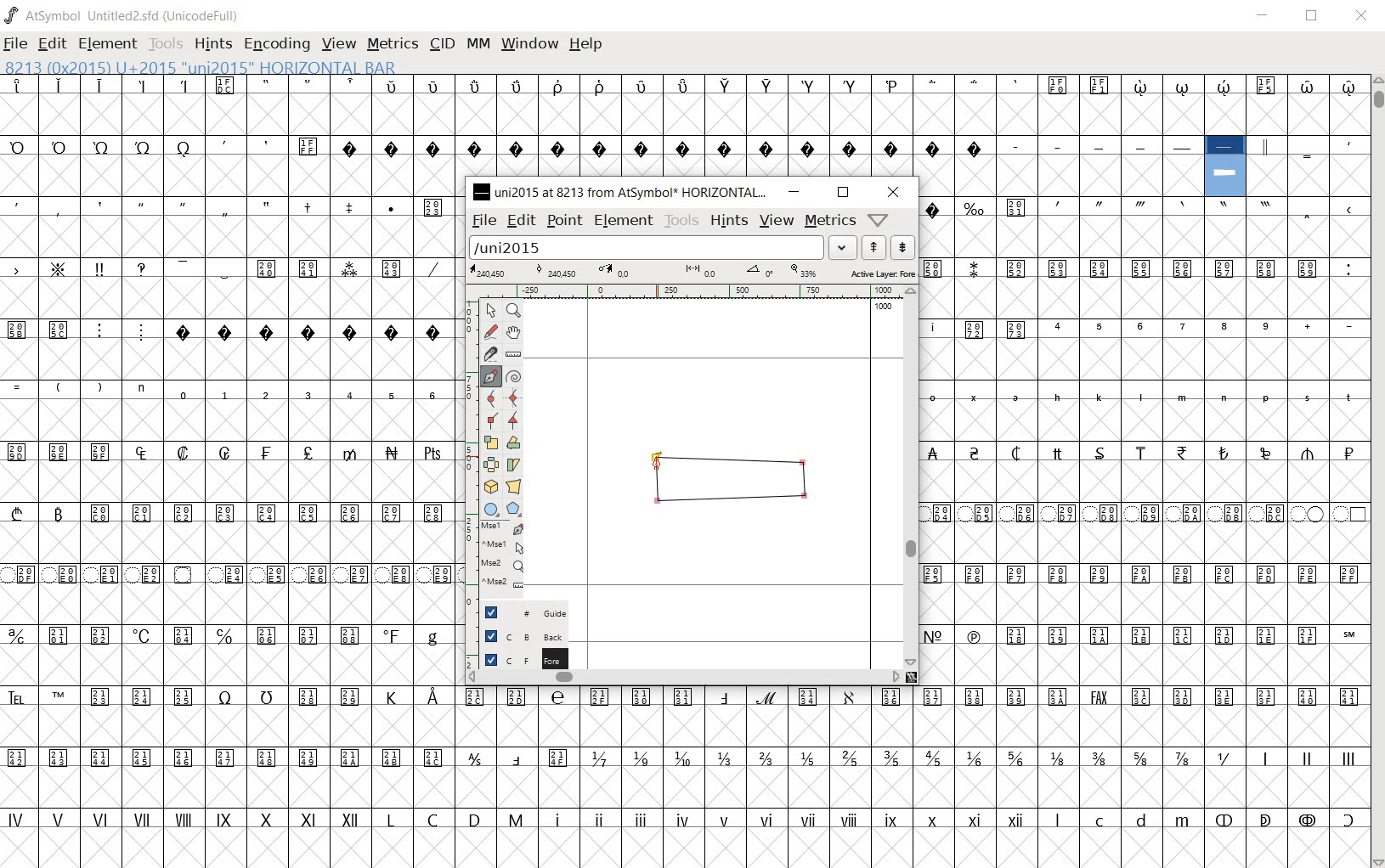 This screenshot has width=1385, height=868. Describe the element at coordinates (531, 43) in the screenshot. I see `WINDOW` at that location.